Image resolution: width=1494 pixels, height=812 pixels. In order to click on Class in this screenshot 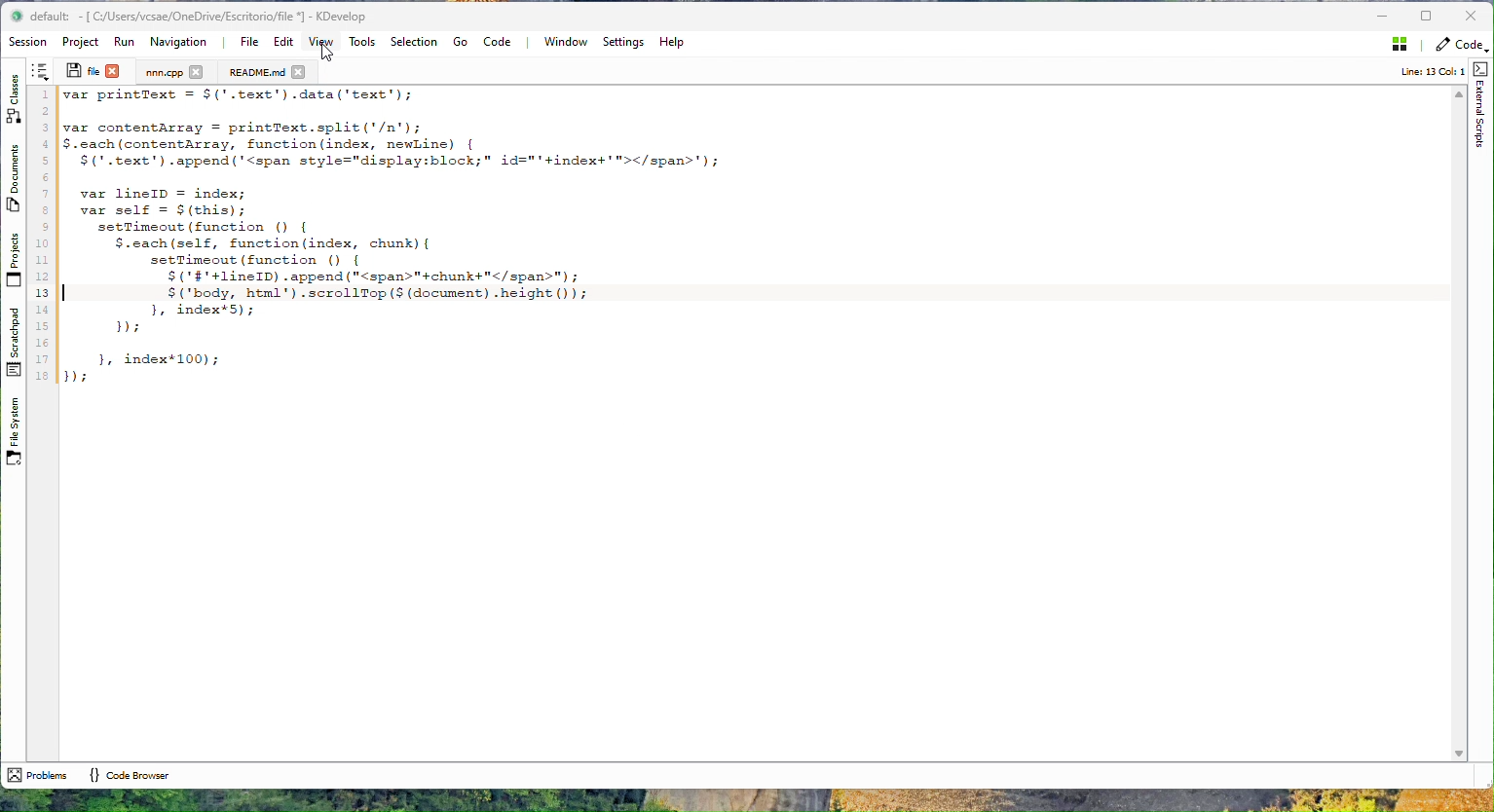, I will do `click(15, 95)`.